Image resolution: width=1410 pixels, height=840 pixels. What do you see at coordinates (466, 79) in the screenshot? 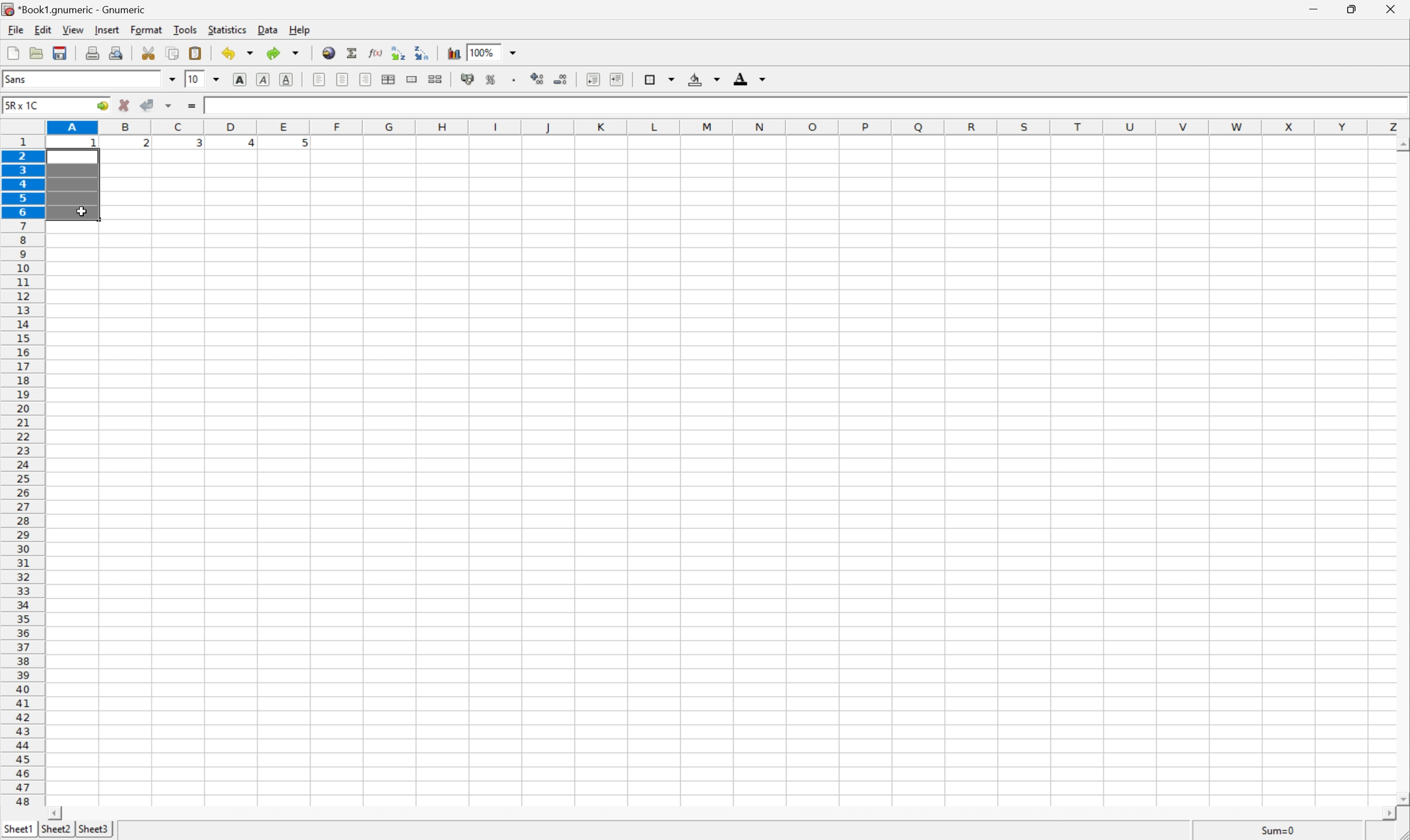
I see `format selection as accounting` at bounding box center [466, 79].